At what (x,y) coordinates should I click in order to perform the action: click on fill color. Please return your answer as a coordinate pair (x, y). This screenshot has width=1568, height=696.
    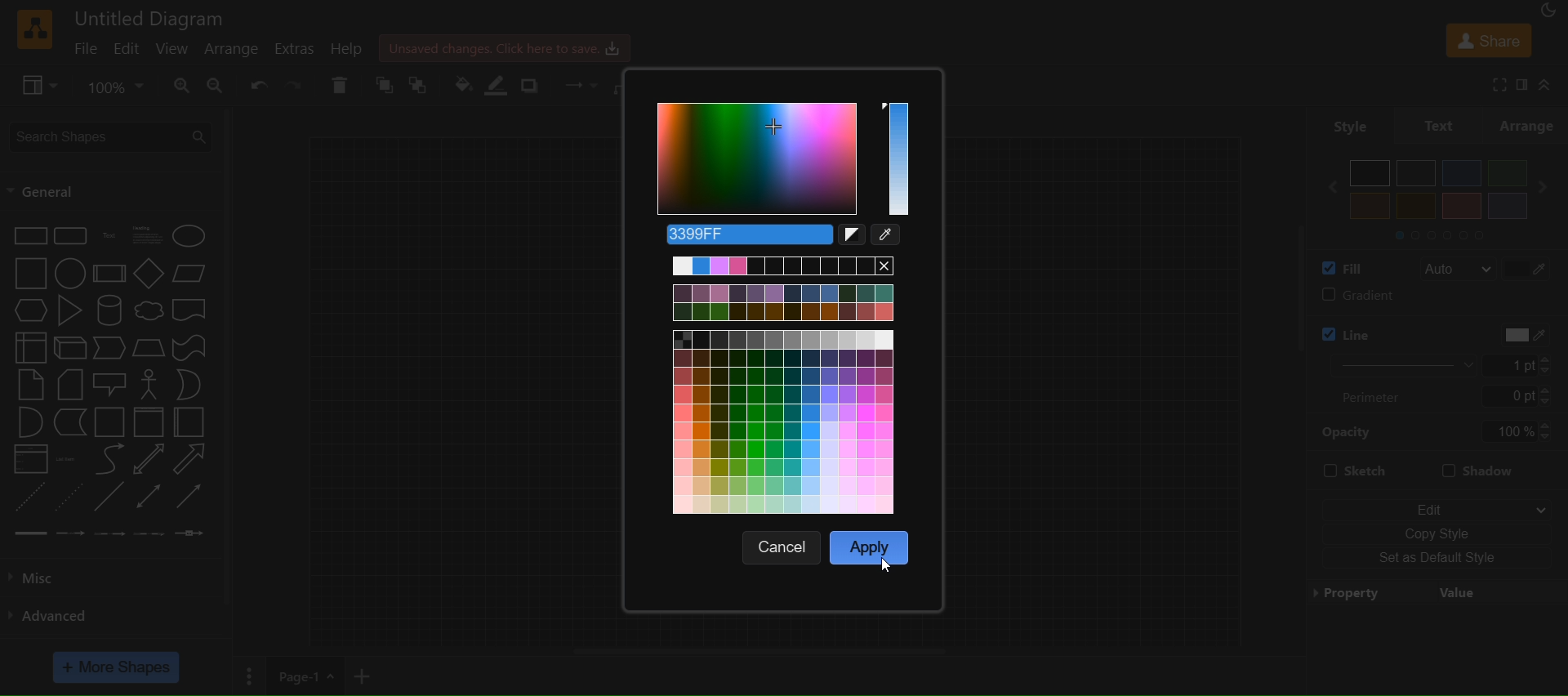
    Looking at the image, I should click on (462, 83).